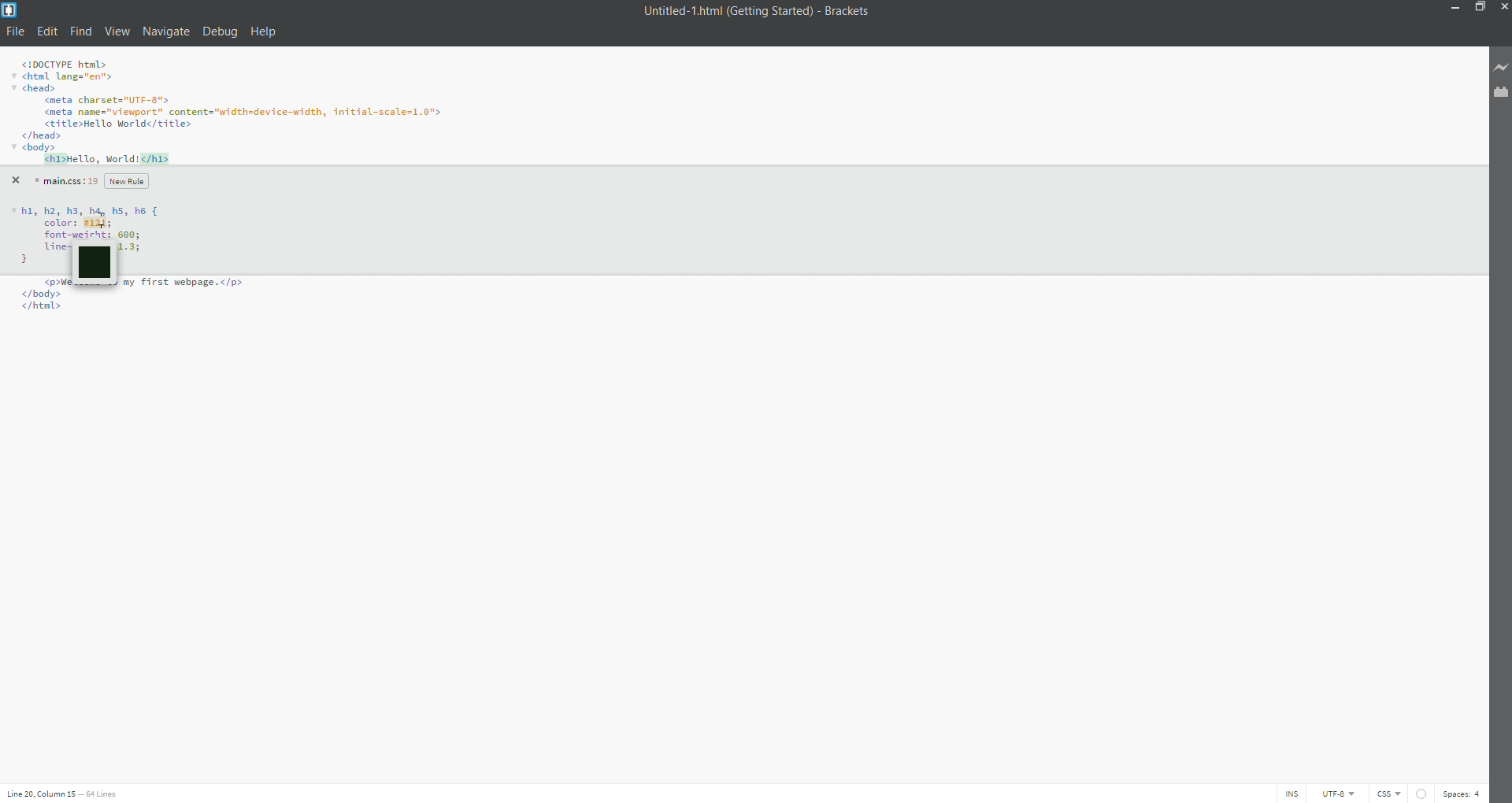  I want to click on view, so click(117, 31).